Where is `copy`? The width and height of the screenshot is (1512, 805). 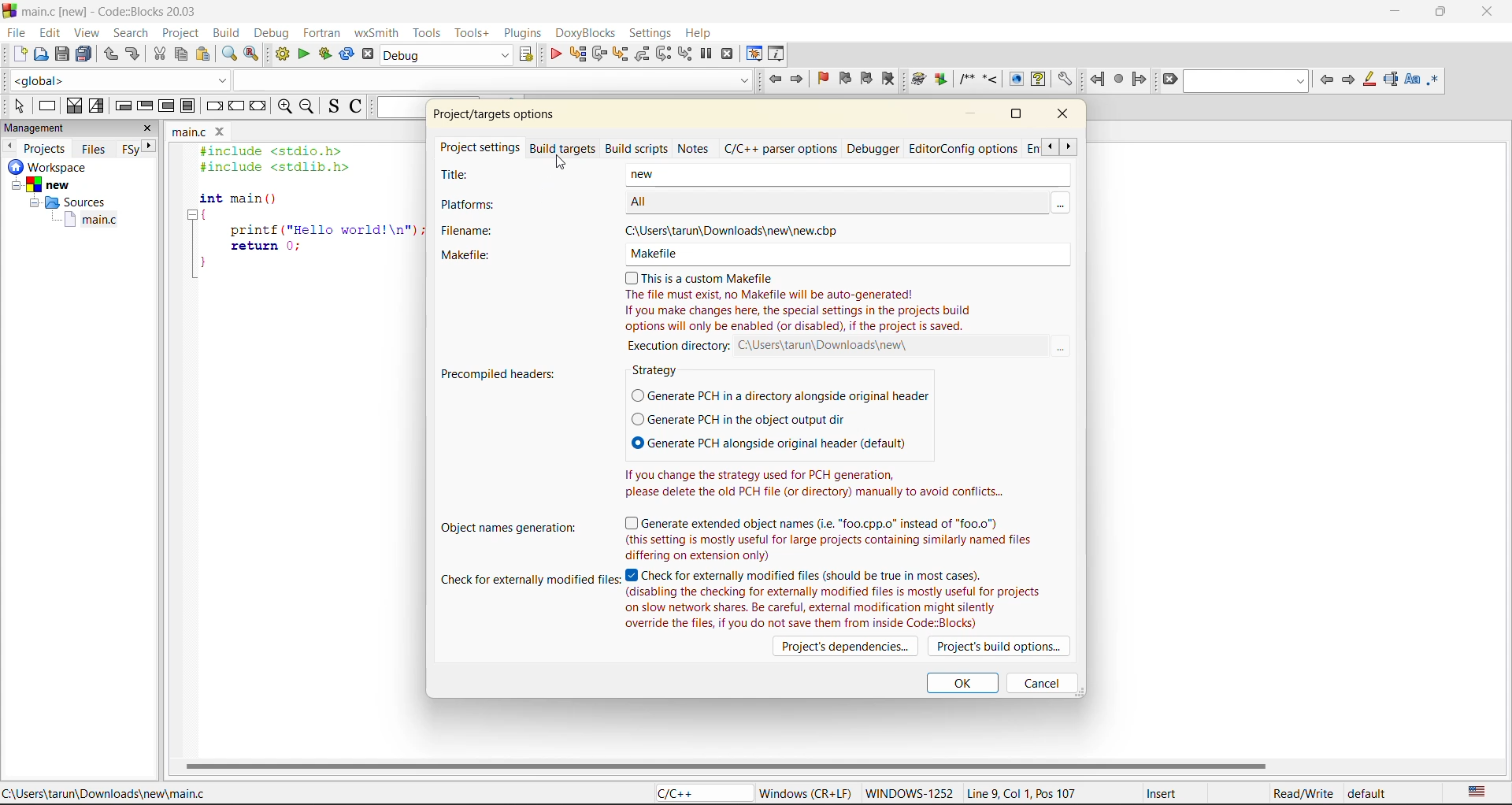 copy is located at coordinates (182, 54).